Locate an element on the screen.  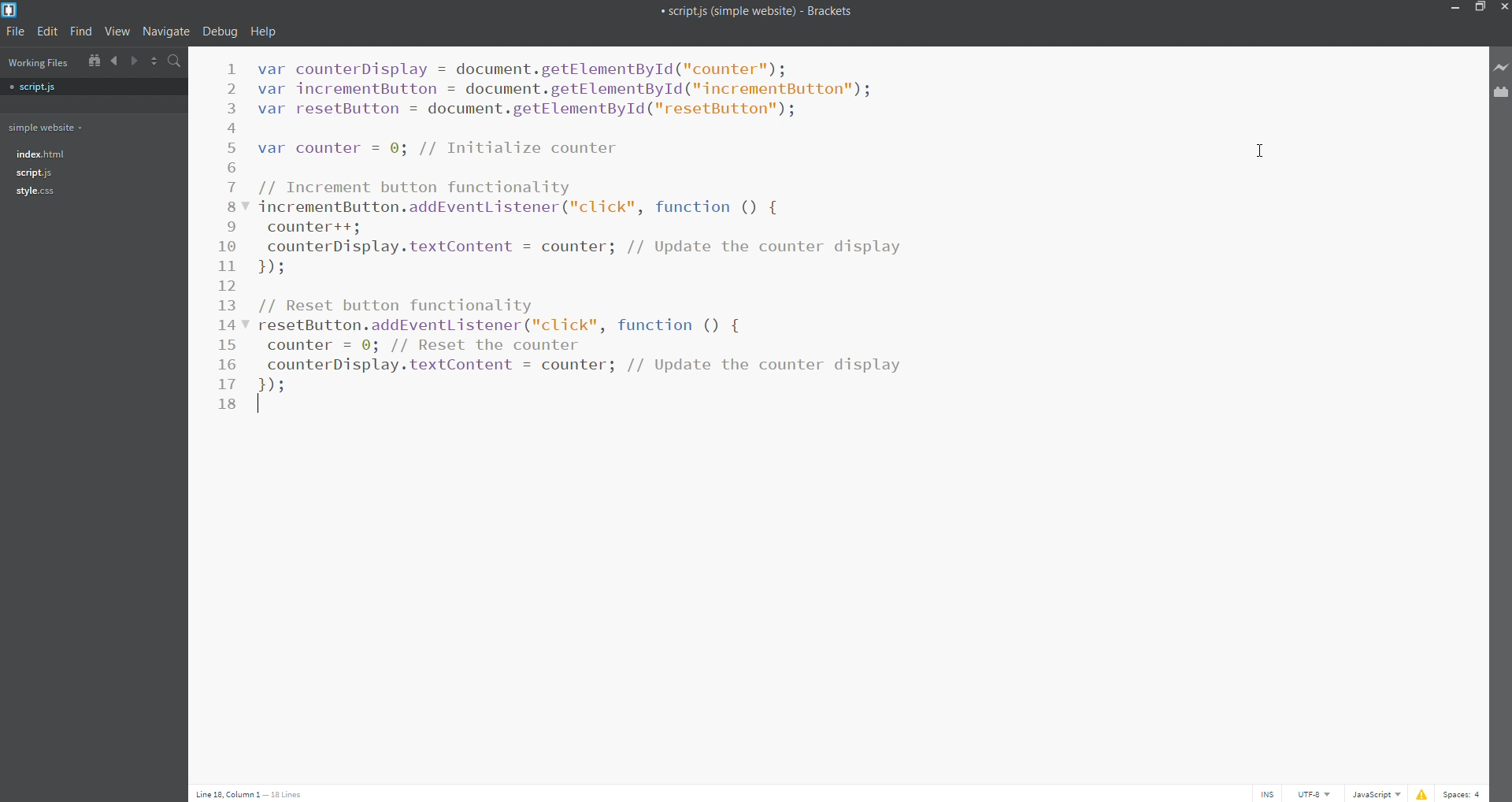
brackets is located at coordinates (9, 10).